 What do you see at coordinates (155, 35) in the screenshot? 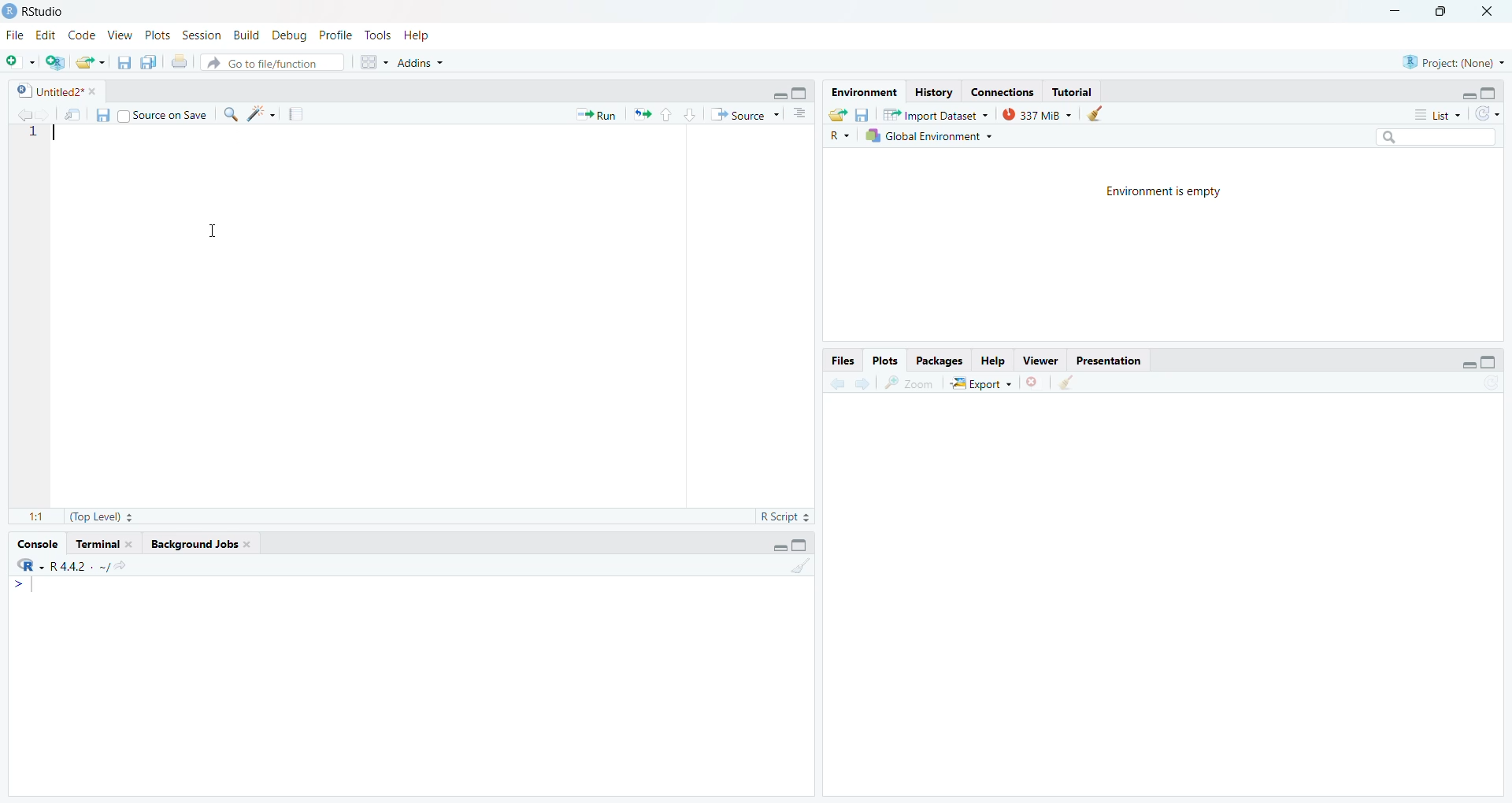
I see ` Plots` at bounding box center [155, 35].